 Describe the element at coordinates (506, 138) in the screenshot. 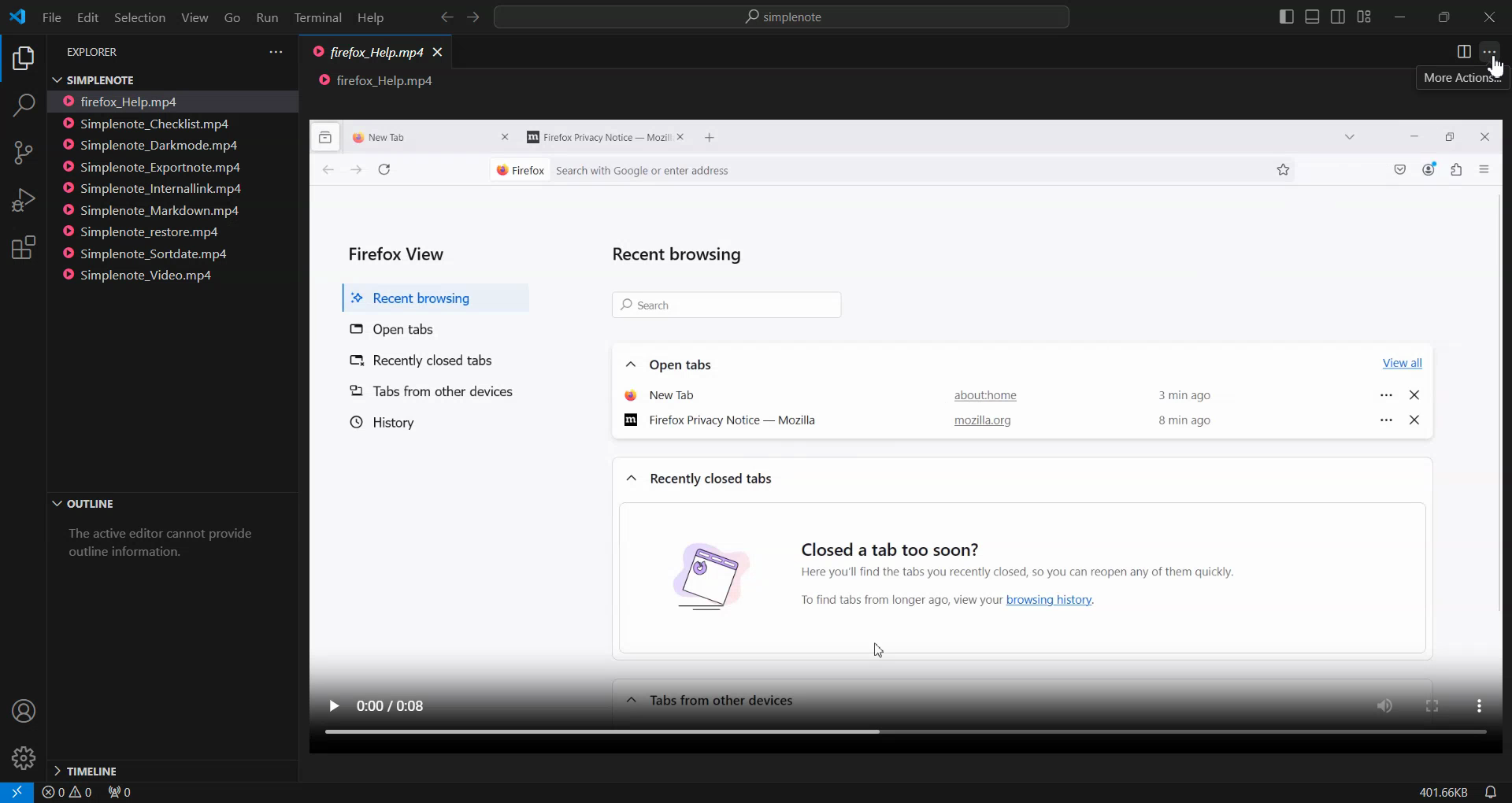

I see `close` at that location.